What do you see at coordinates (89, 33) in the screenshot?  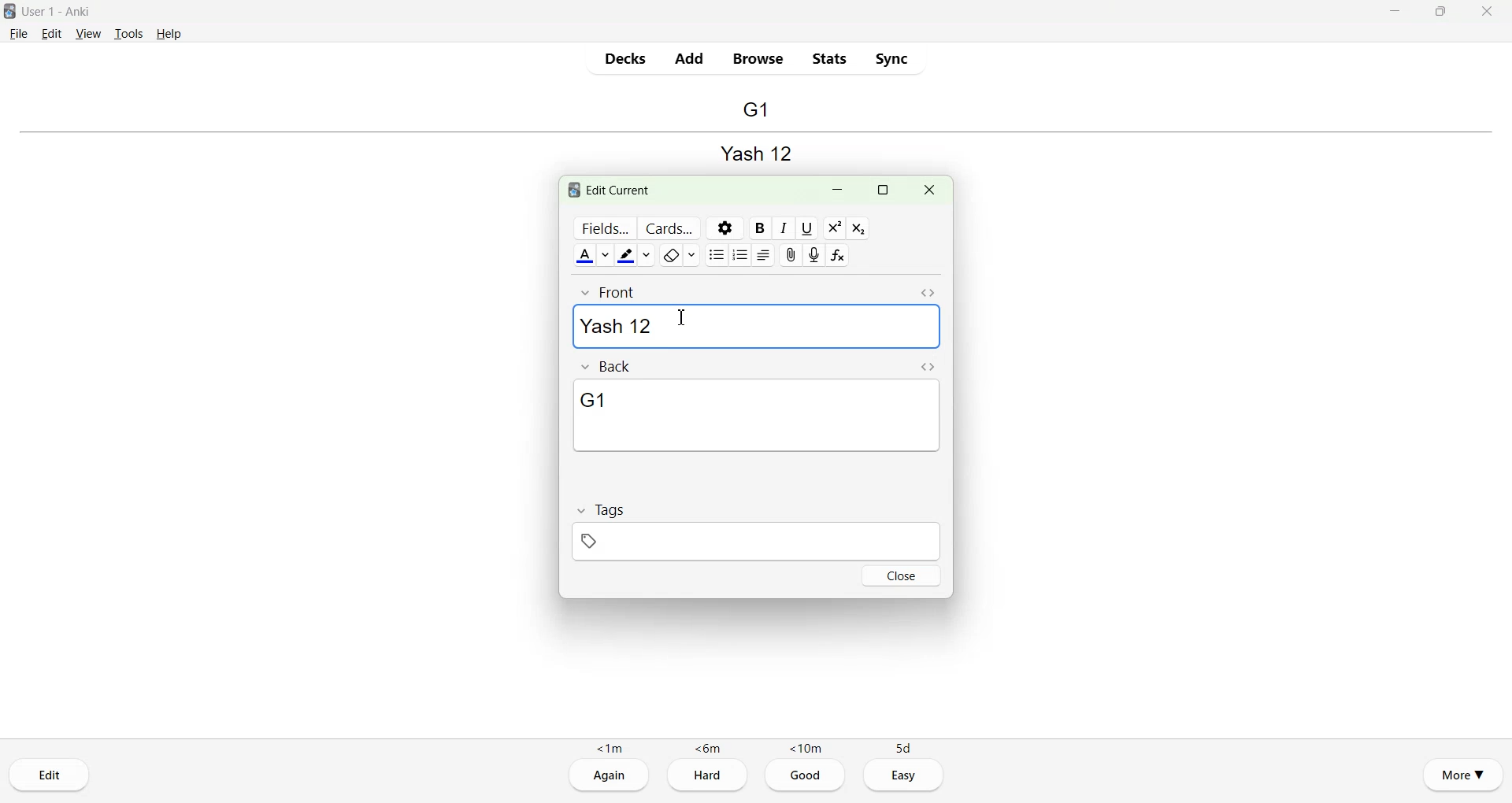 I see `View` at bounding box center [89, 33].